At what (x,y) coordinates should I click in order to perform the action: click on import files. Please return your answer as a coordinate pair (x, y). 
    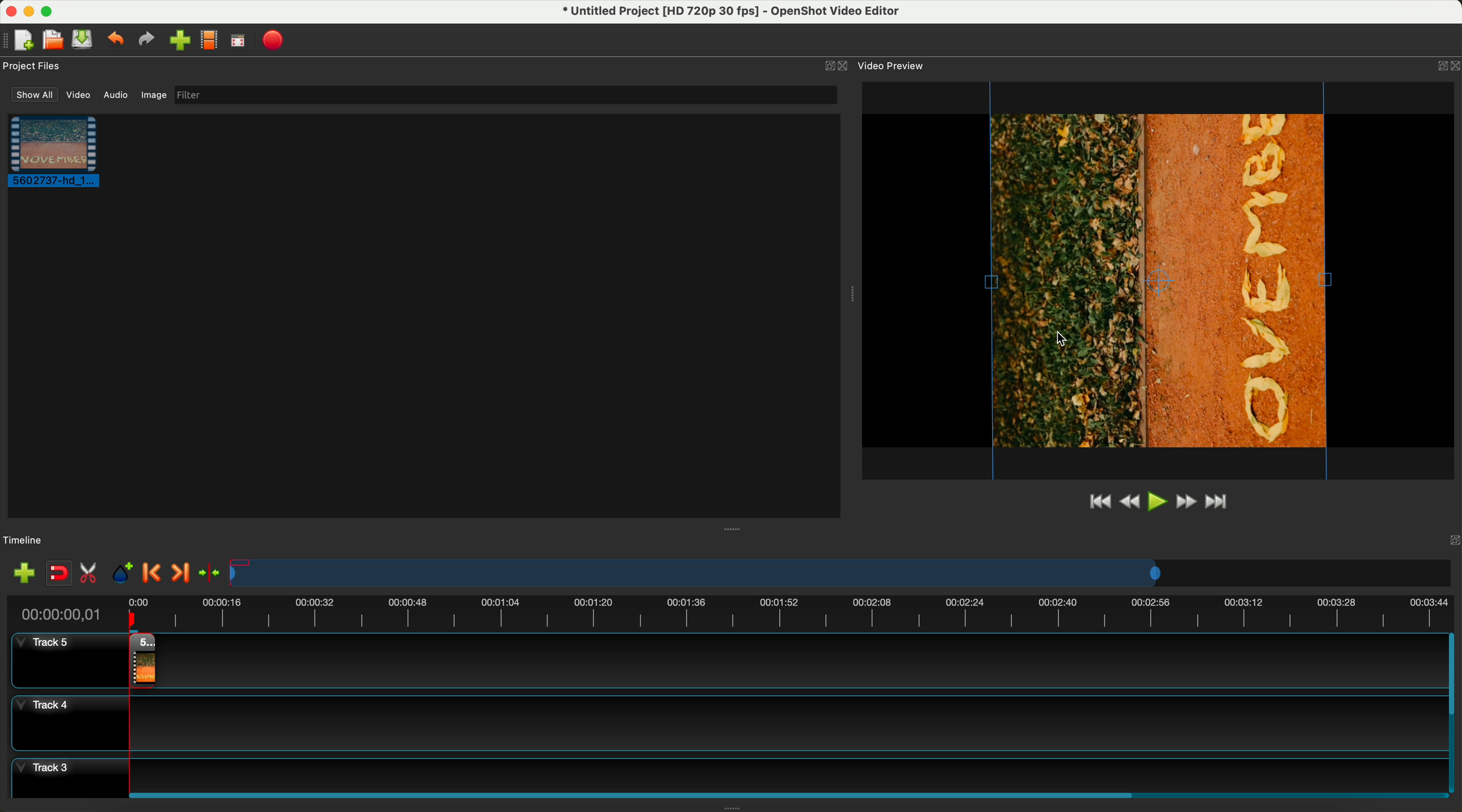
    Looking at the image, I should click on (179, 40).